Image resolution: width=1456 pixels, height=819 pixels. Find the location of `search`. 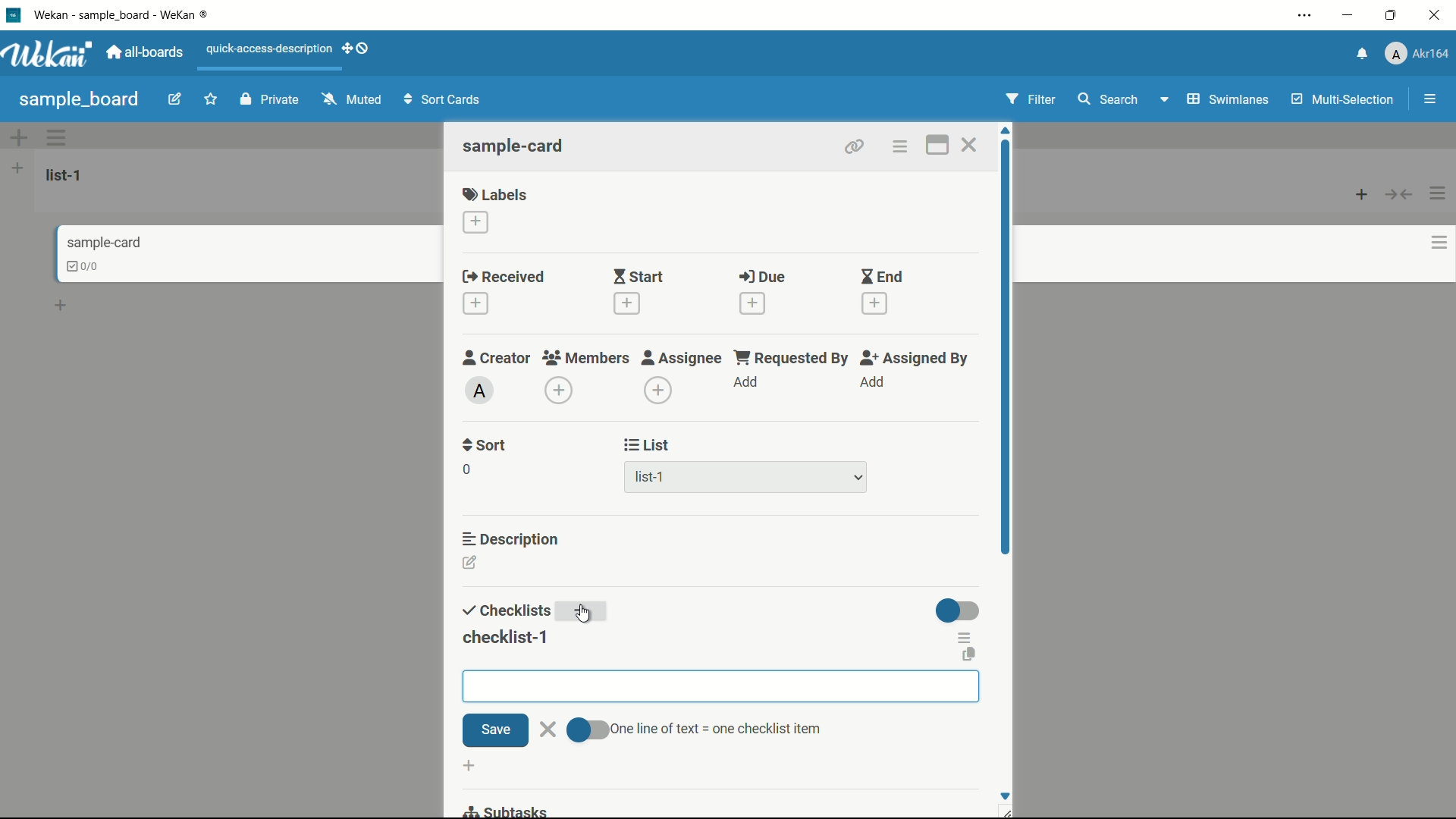

search is located at coordinates (1106, 99).